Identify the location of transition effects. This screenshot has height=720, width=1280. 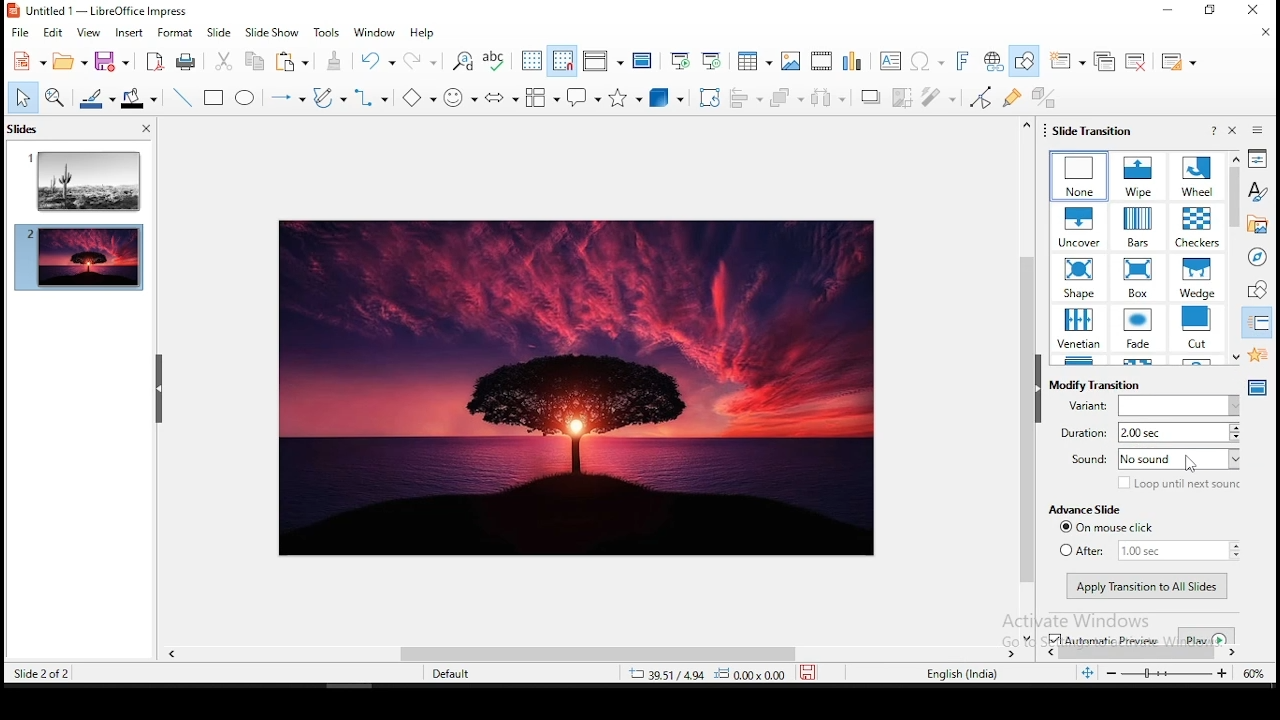
(1195, 227).